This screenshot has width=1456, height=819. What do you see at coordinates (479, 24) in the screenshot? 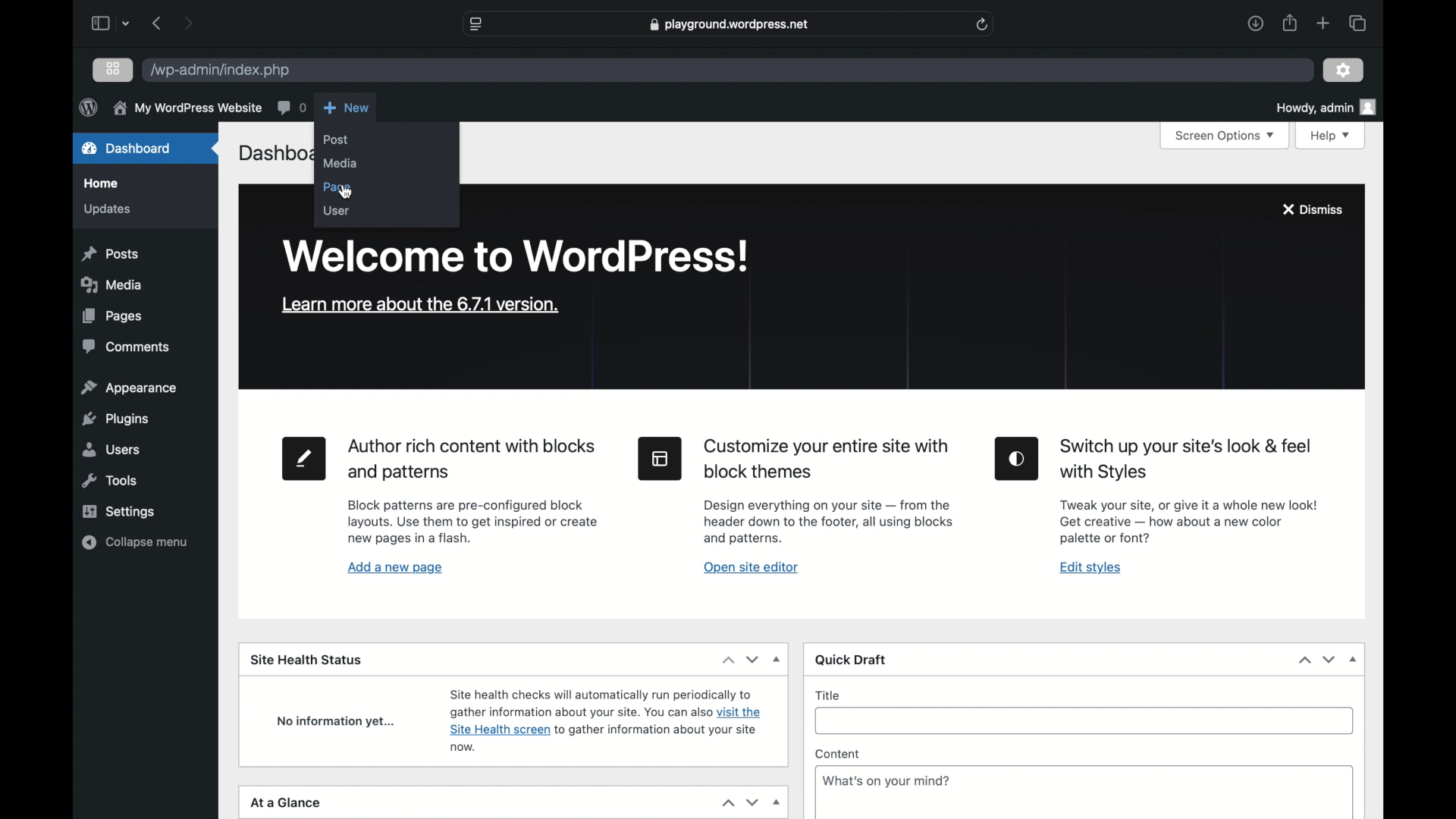
I see `website settings` at bounding box center [479, 24].